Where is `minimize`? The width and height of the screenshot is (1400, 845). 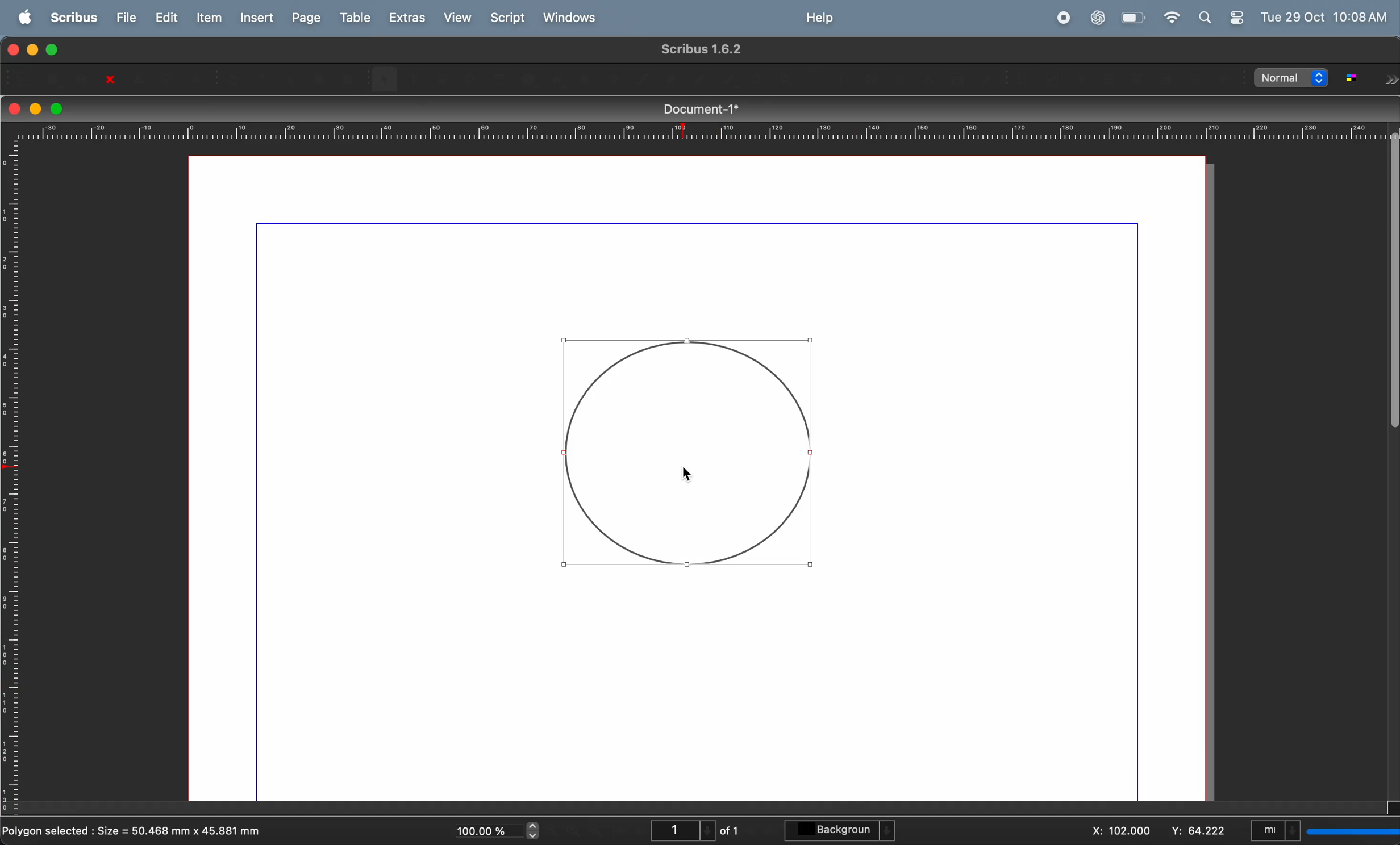 minimize is located at coordinates (31, 49).